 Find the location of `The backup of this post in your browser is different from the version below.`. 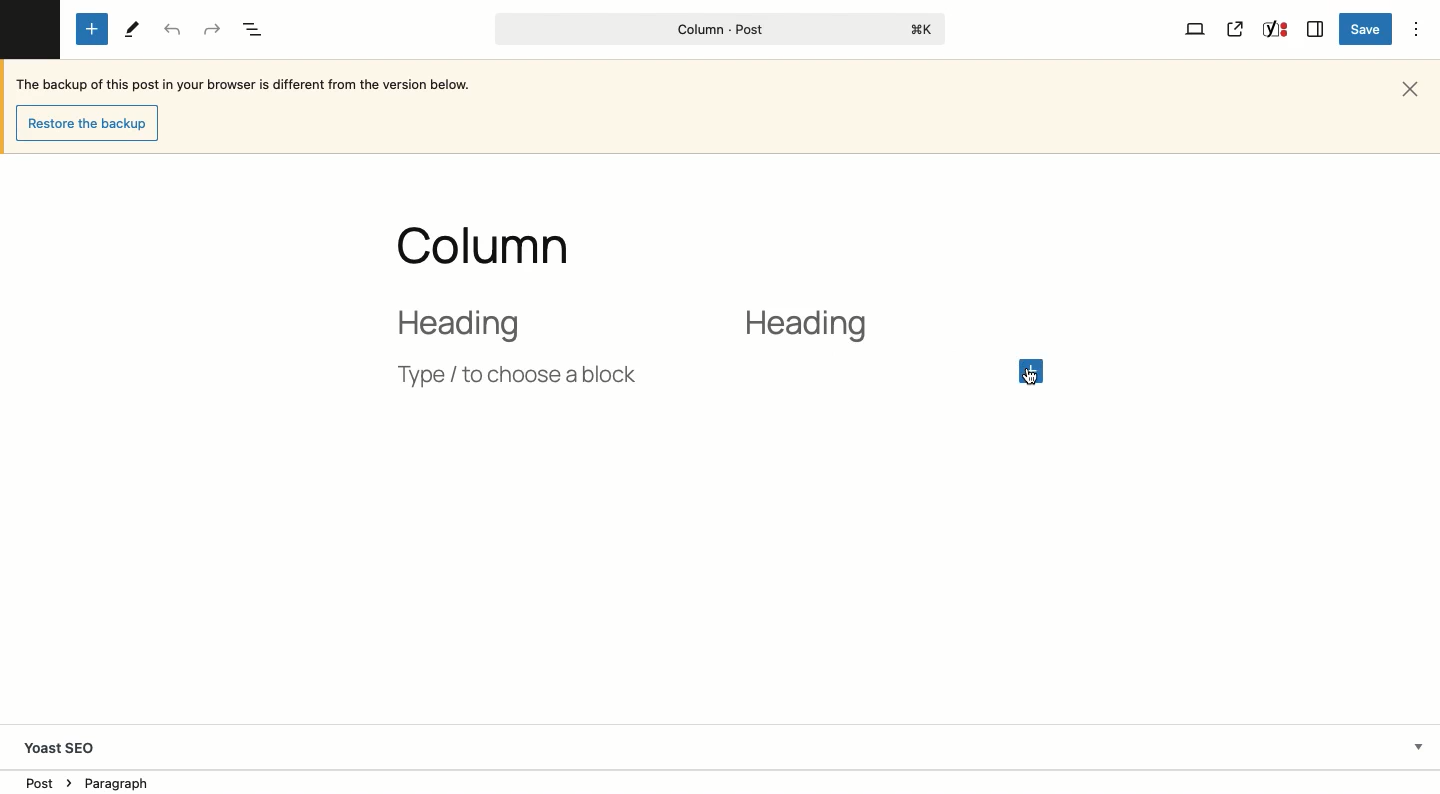

The backup of this post in your browser is different from the version below. is located at coordinates (245, 87).